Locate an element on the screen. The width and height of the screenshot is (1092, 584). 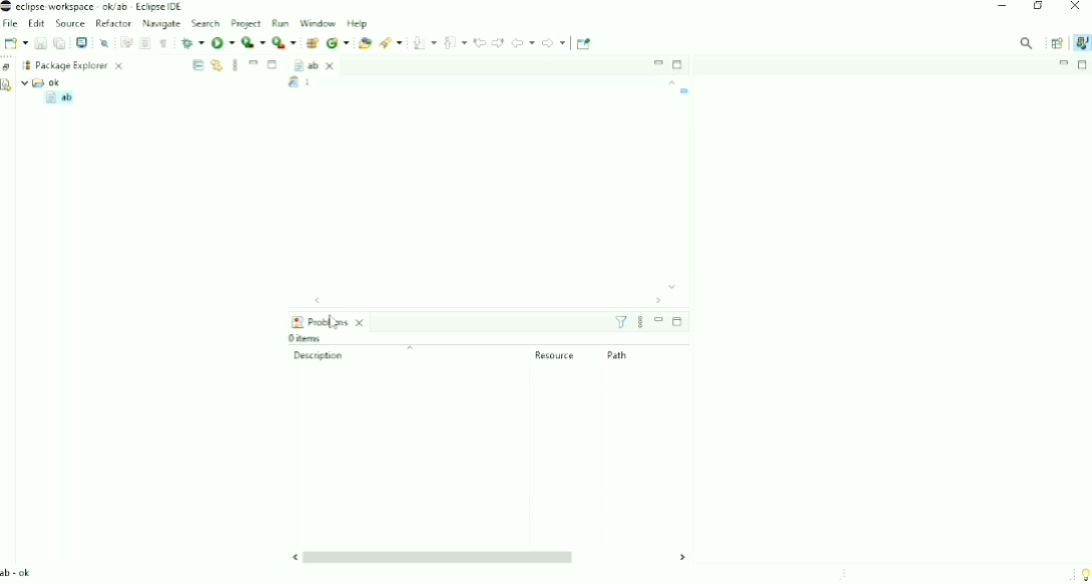
Project is located at coordinates (245, 23).